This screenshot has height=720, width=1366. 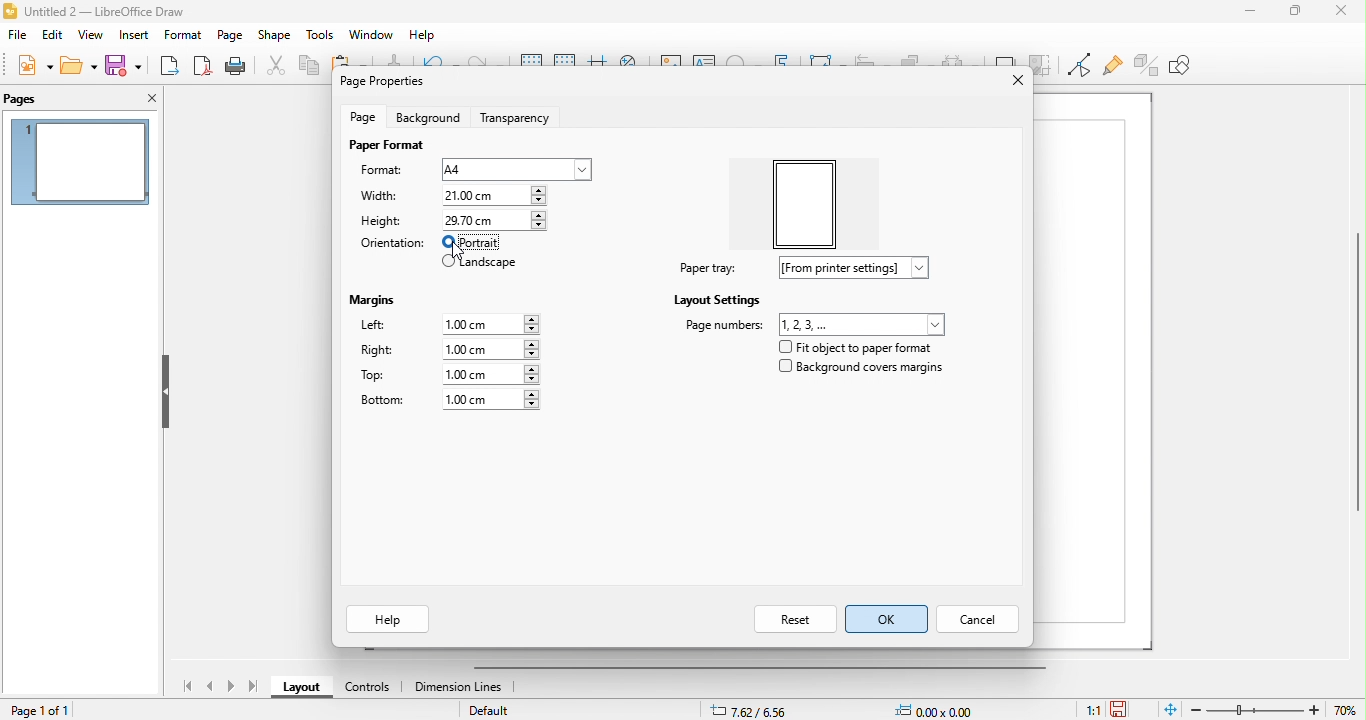 I want to click on shadow, so click(x=1005, y=61).